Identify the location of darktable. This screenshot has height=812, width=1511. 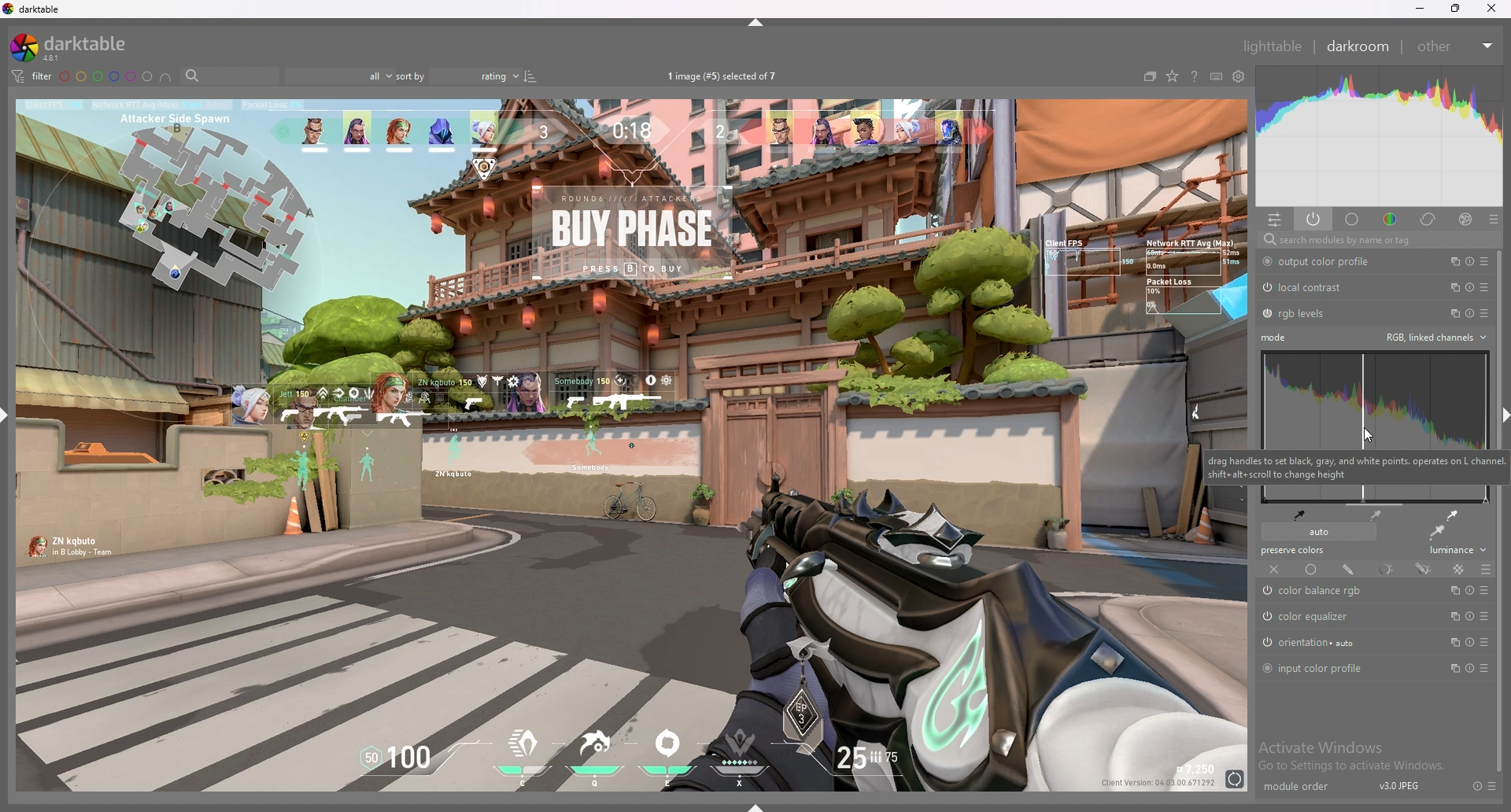
(34, 9).